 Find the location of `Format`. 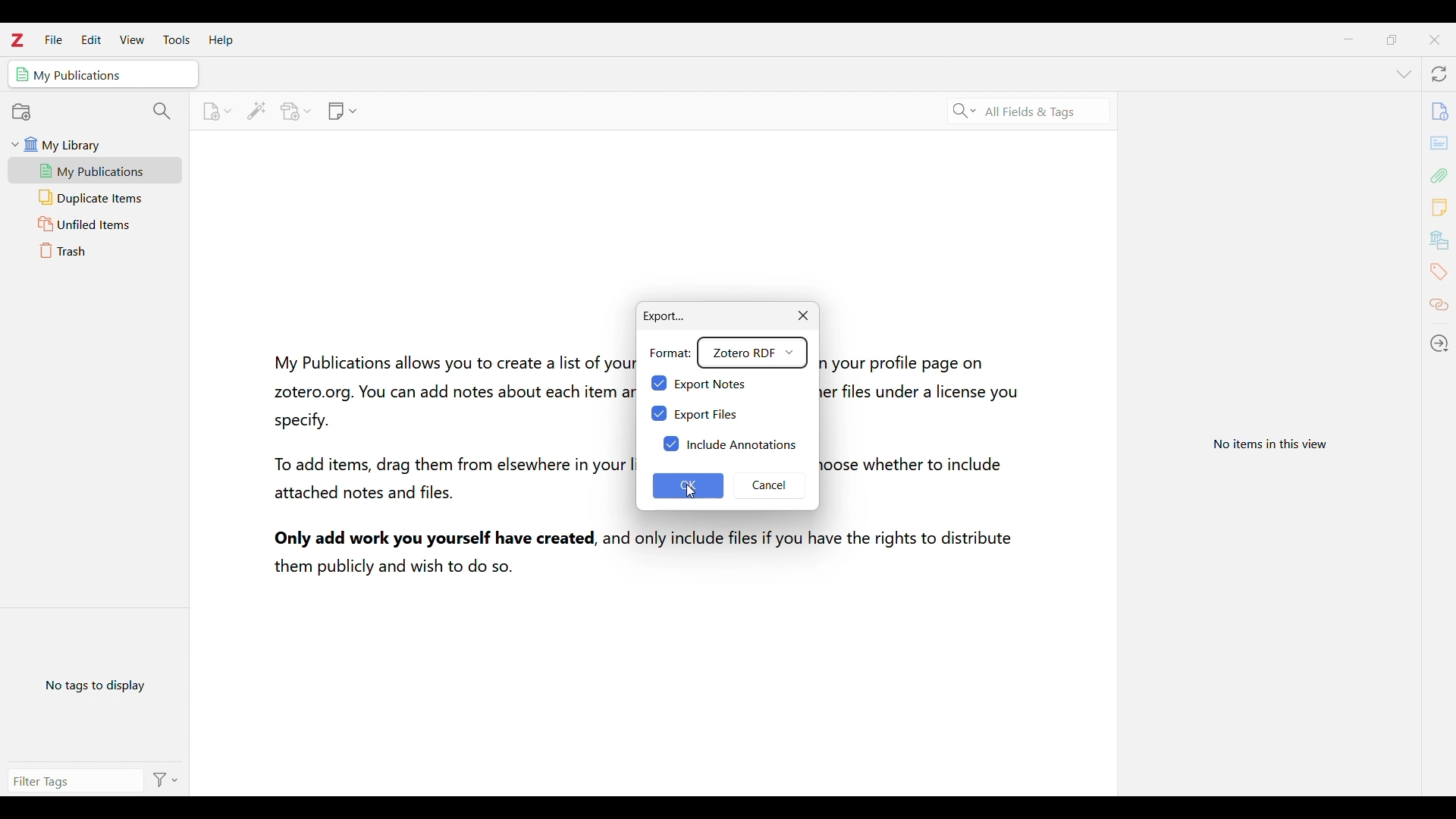

Format is located at coordinates (670, 350).